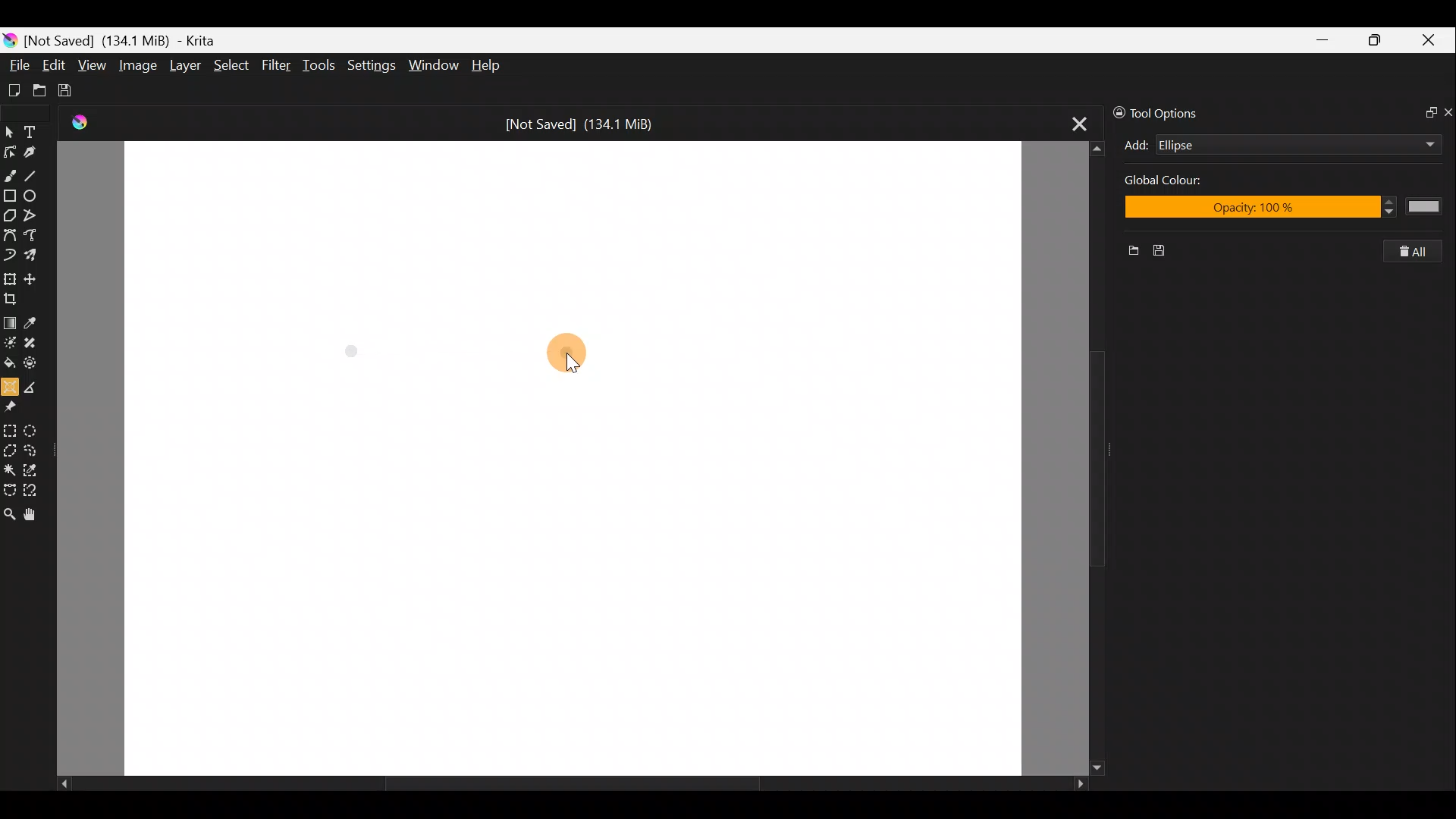 The image size is (1456, 819). I want to click on Global color, so click(1182, 183).